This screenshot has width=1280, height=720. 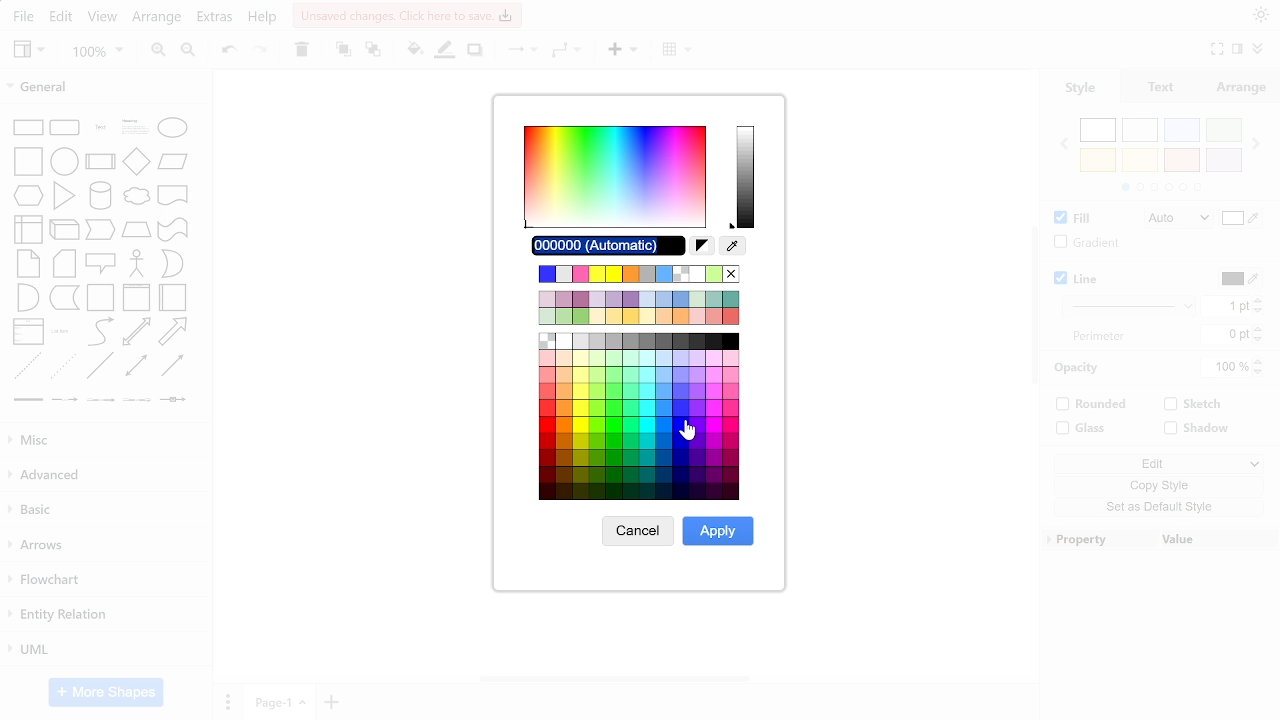 What do you see at coordinates (690, 427) in the screenshot?
I see `cursor` at bounding box center [690, 427].